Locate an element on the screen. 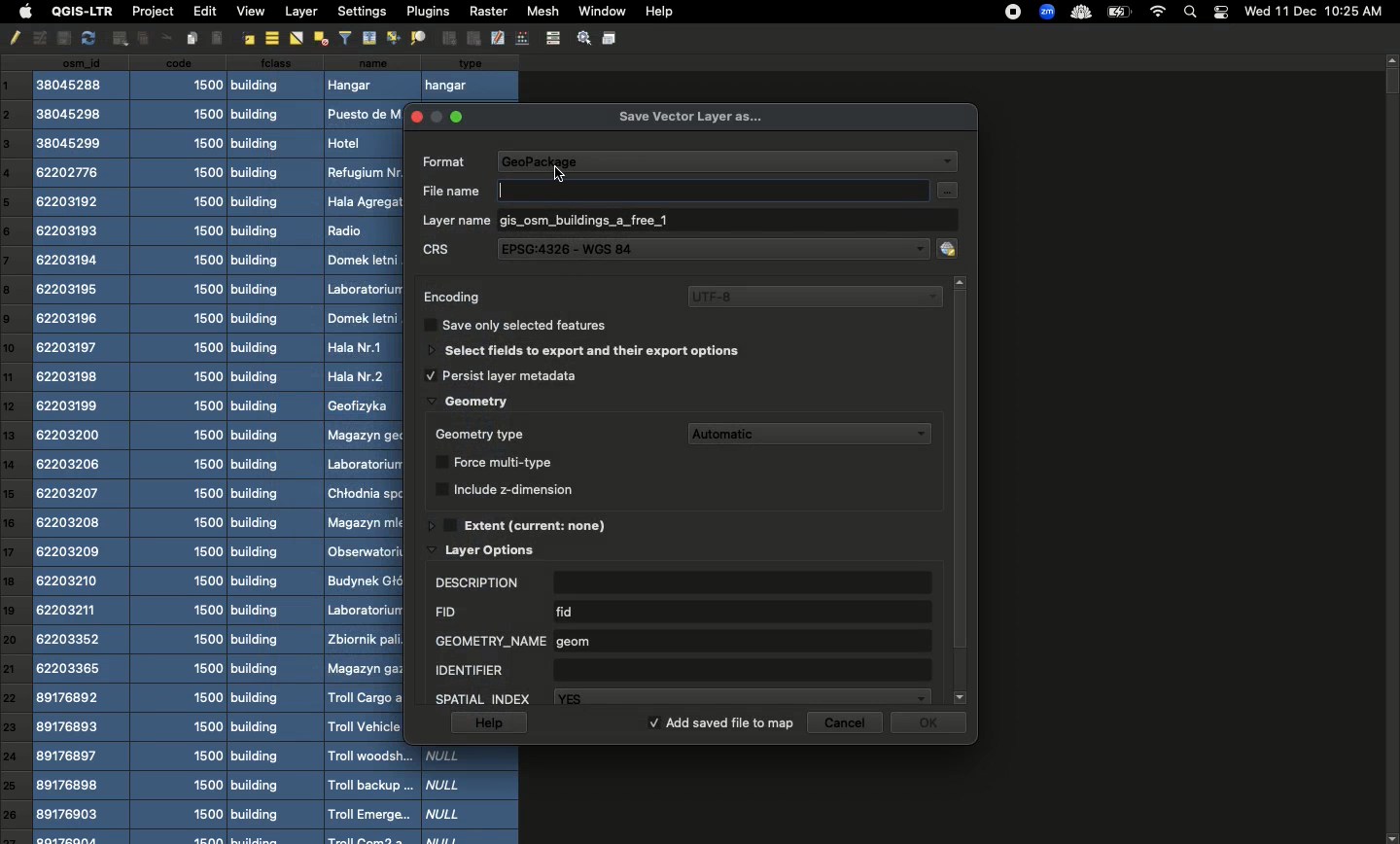 This screenshot has width=1400, height=844. Geometry is located at coordinates (470, 402).